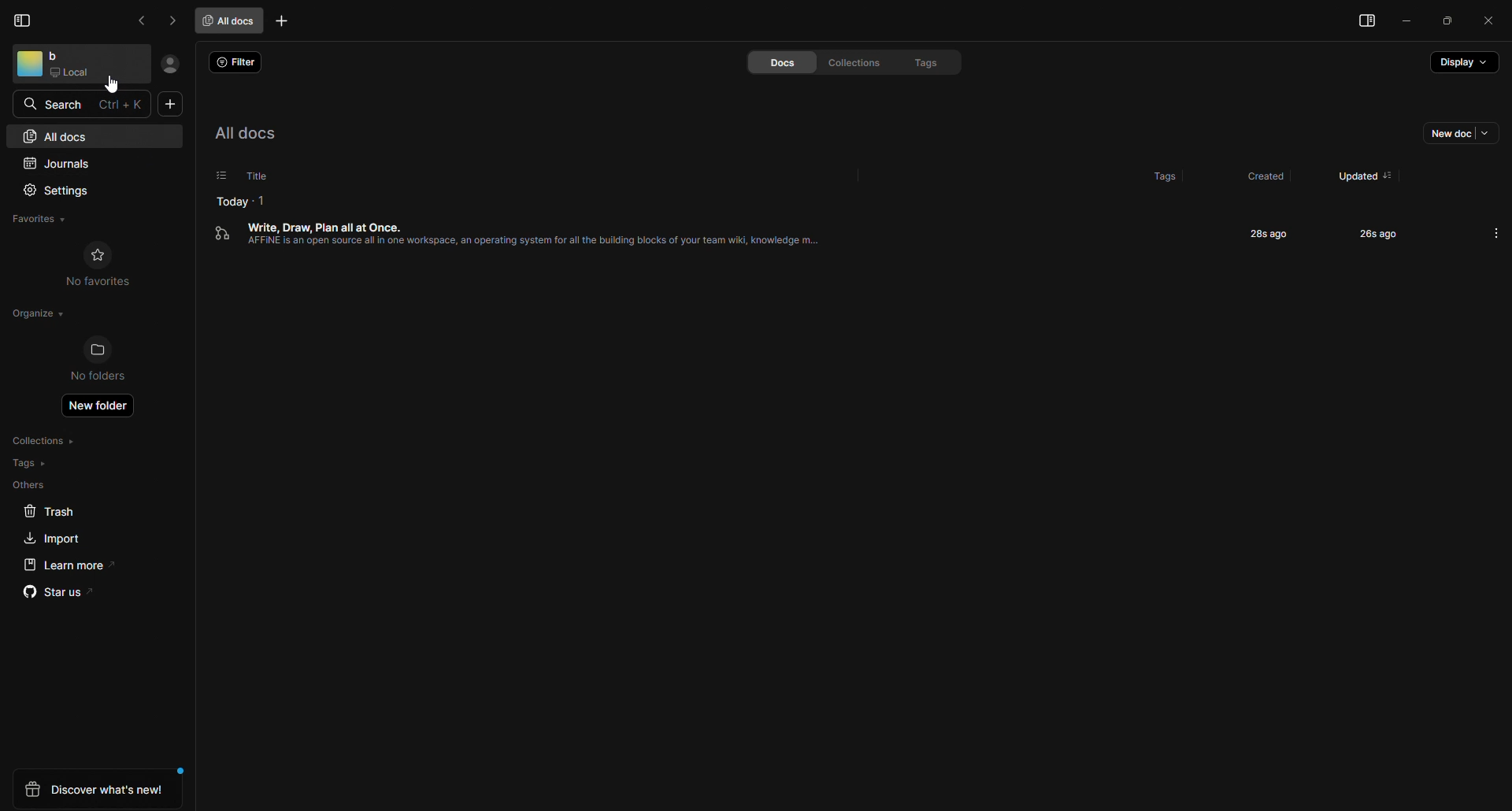  Describe the element at coordinates (1262, 176) in the screenshot. I see `created` at that location.